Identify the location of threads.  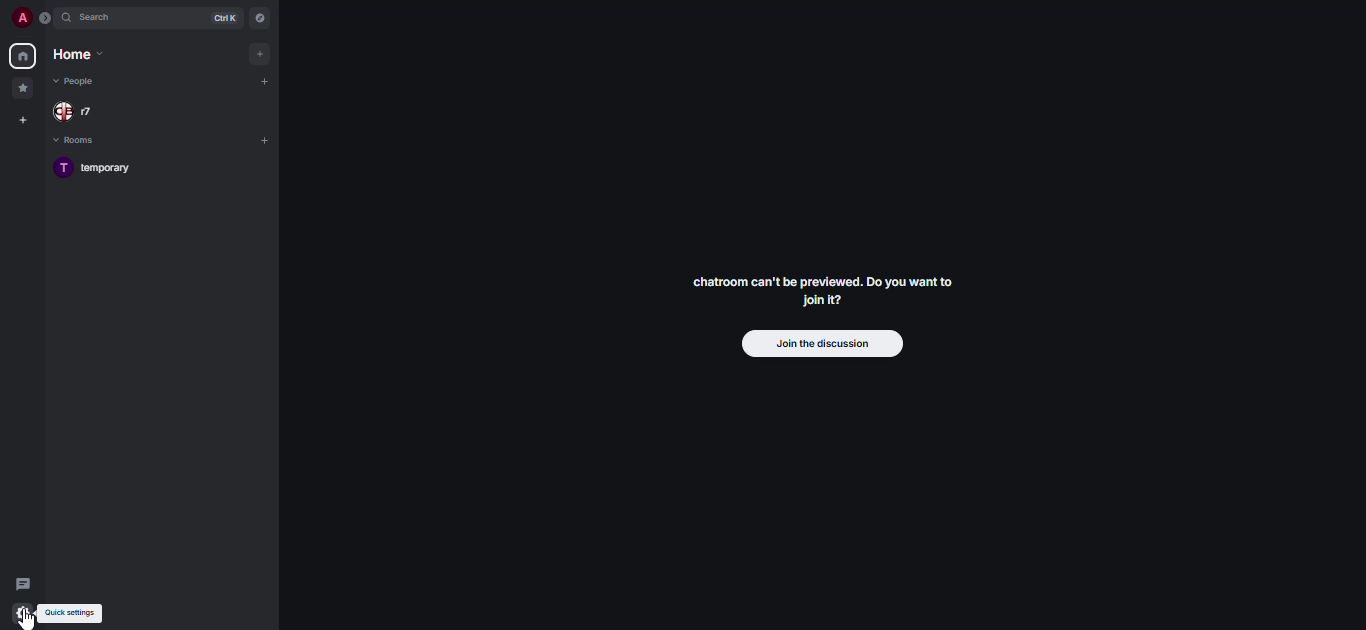
(23, 583).